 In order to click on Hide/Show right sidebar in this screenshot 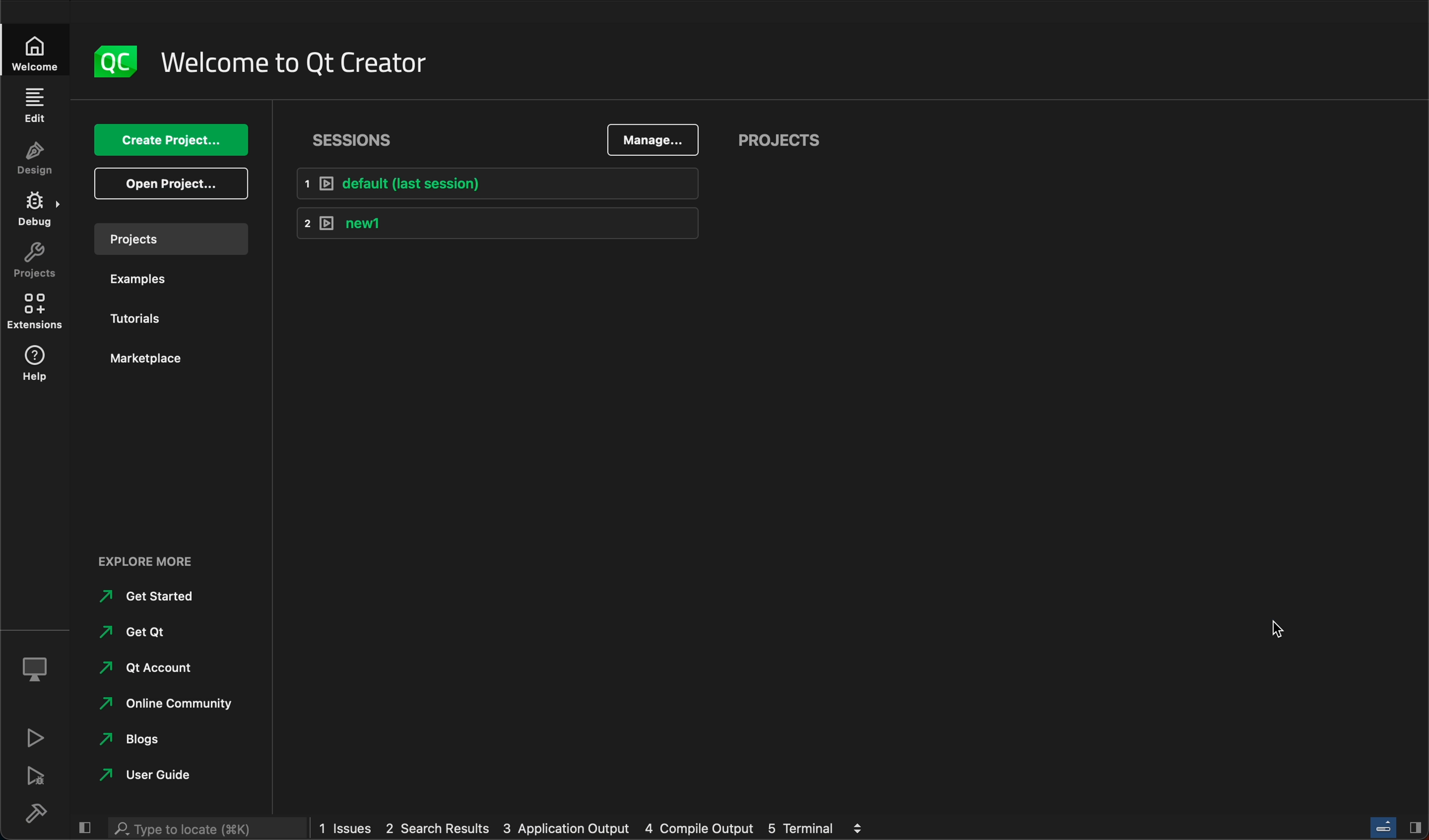, I will do `click(1414, 825)`.